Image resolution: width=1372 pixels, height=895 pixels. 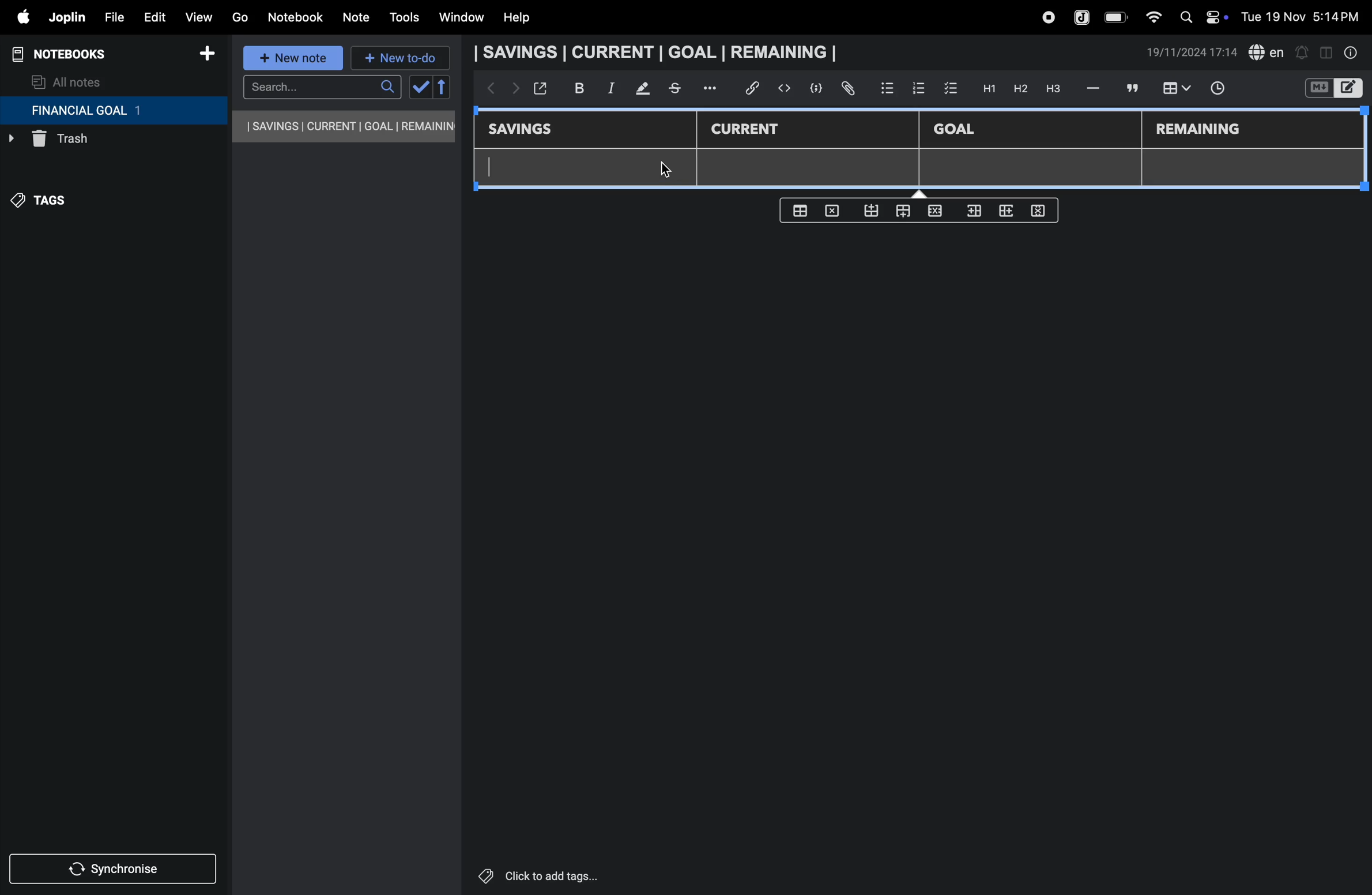 I want to click on switch editor, so click(x=1332, y=88).